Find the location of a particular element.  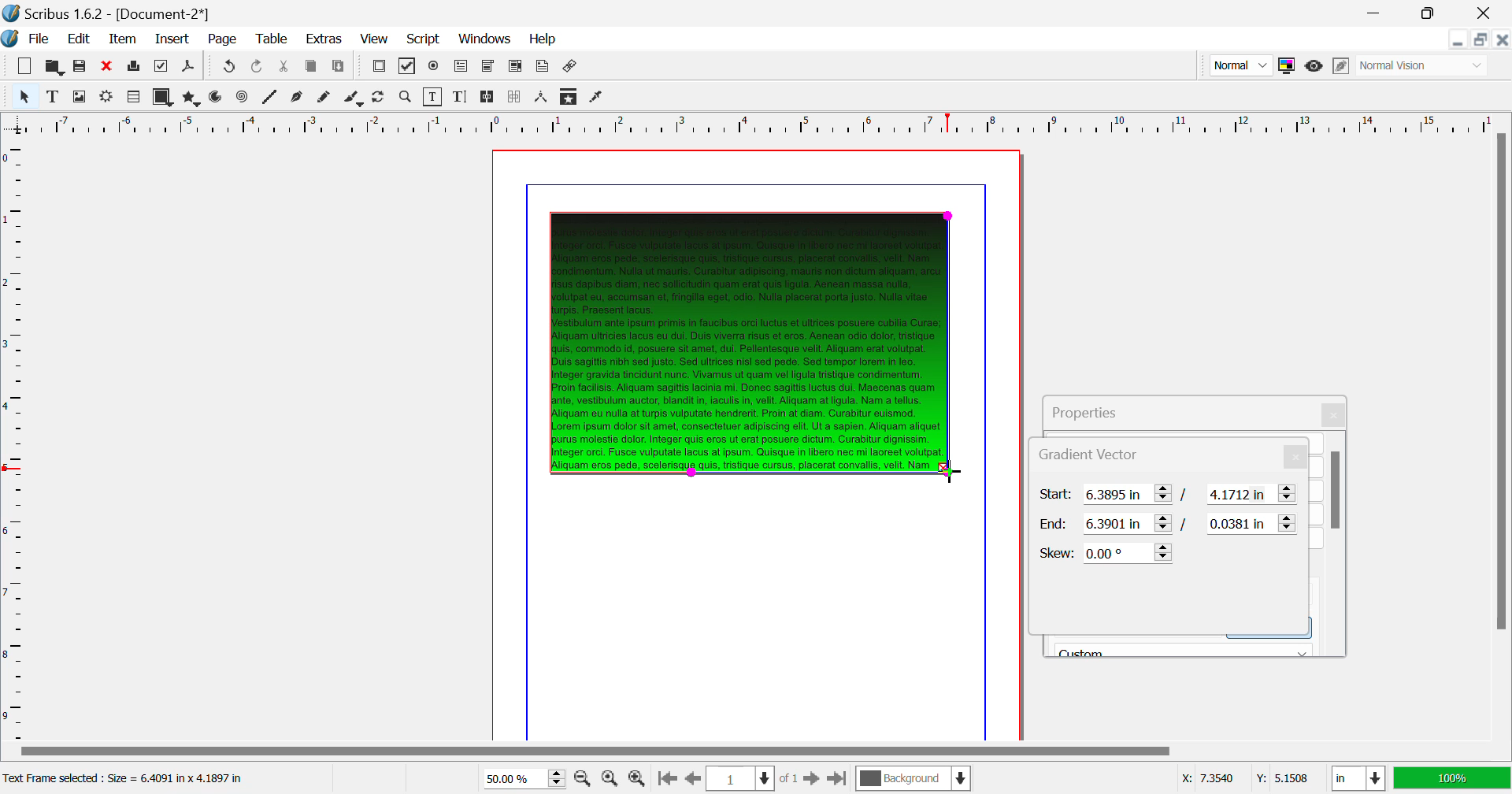

Discard is located at coordinates (107, 66).